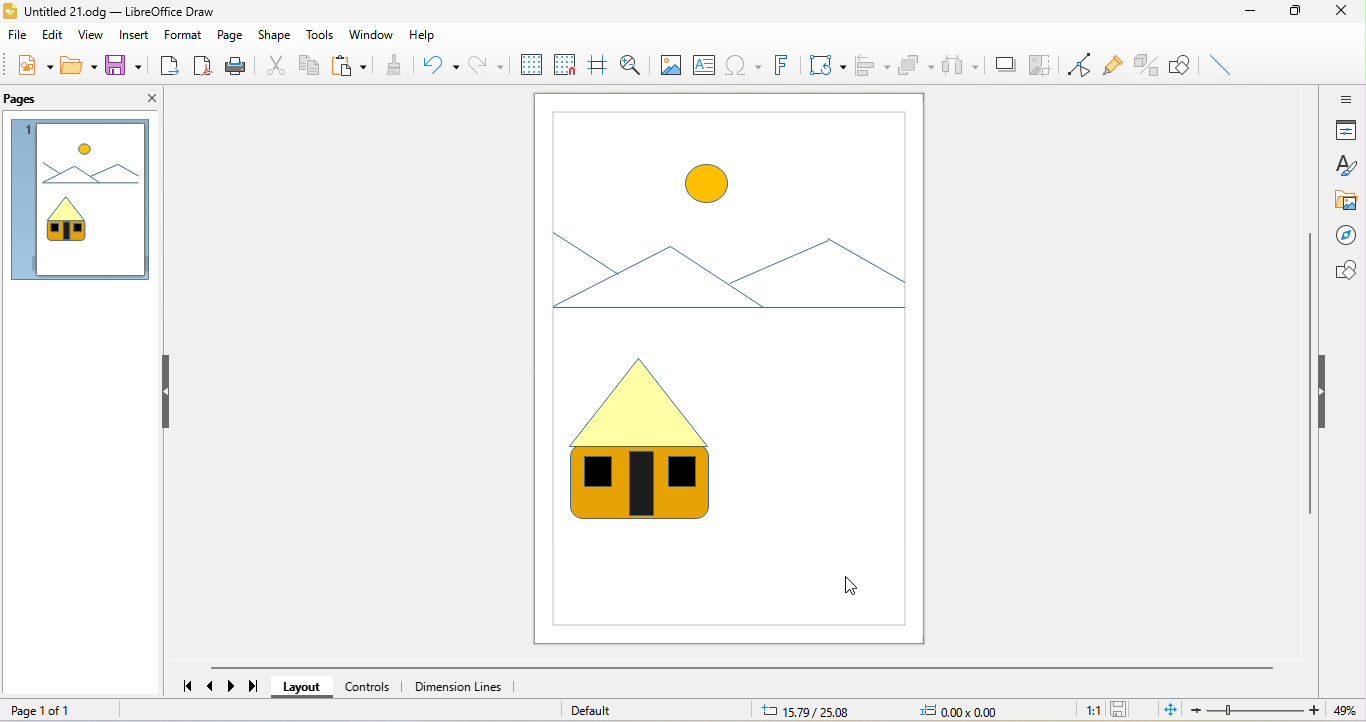  What do you see at coordinates (121, 64) in the screenshot?
I see `save` at bounding box center [121, 64].